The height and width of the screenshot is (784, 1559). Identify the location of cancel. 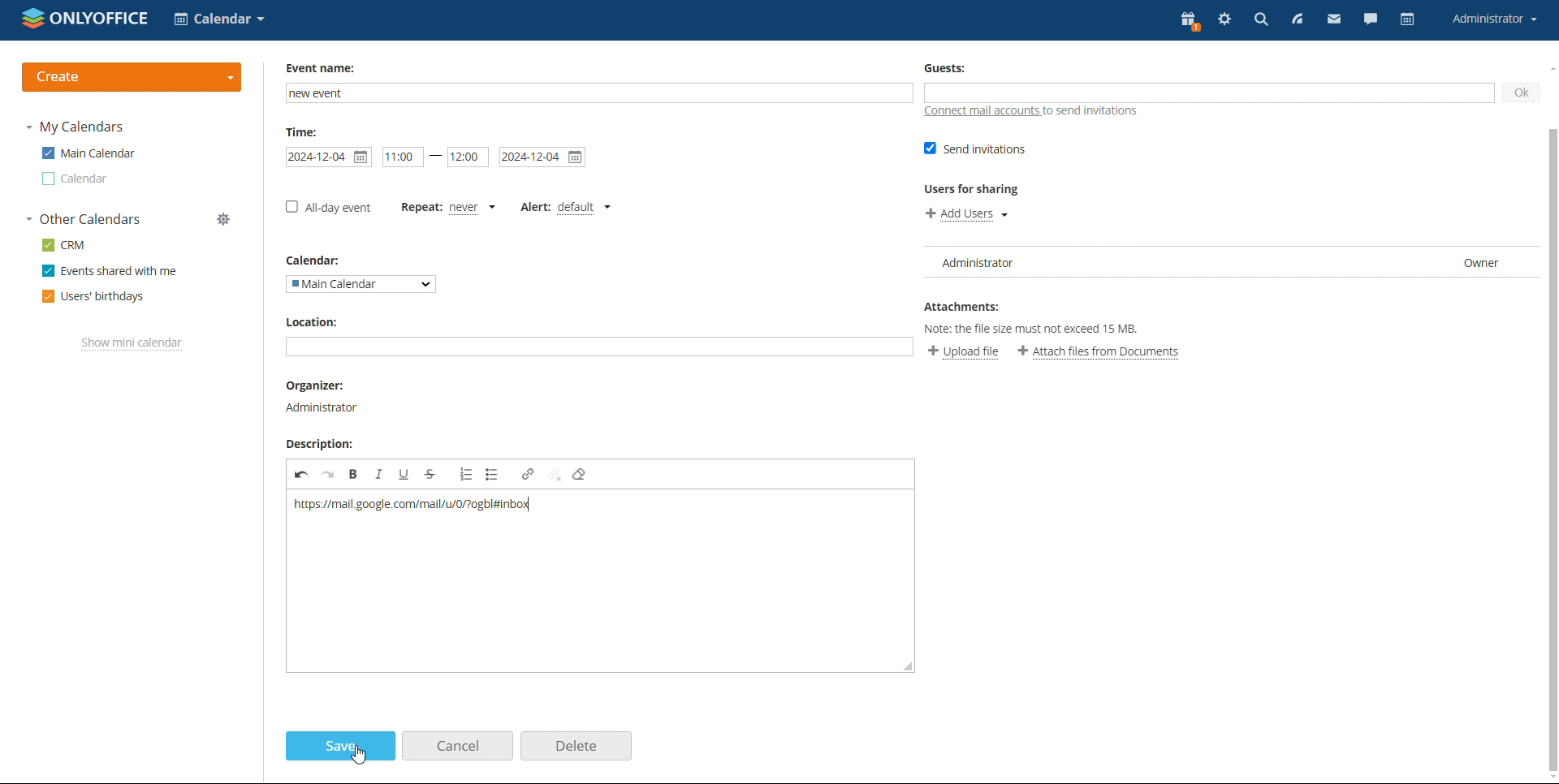
(458, 746).